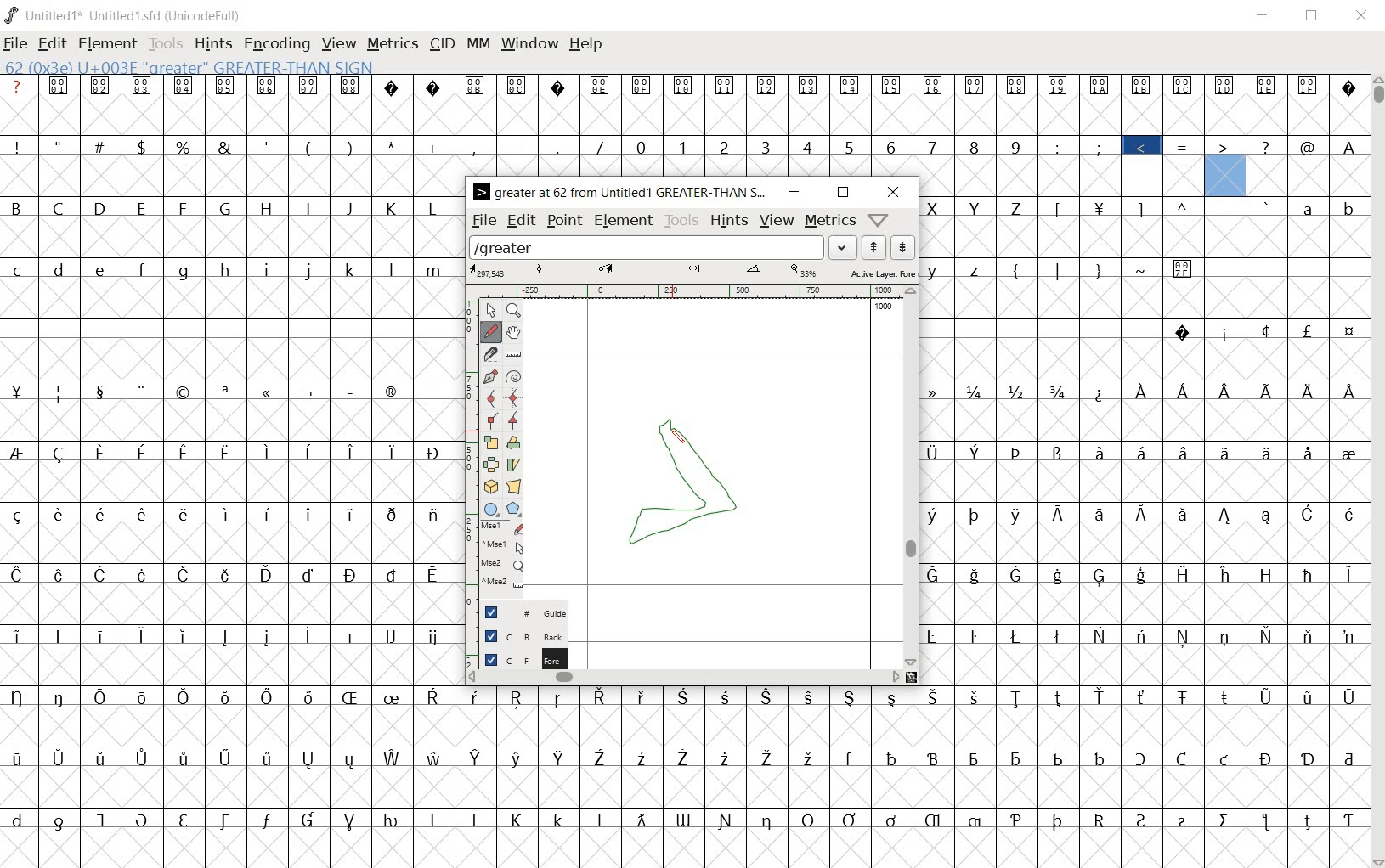 The image size is (1385, 868). I want to click on scale the selection, so click(489, 442).